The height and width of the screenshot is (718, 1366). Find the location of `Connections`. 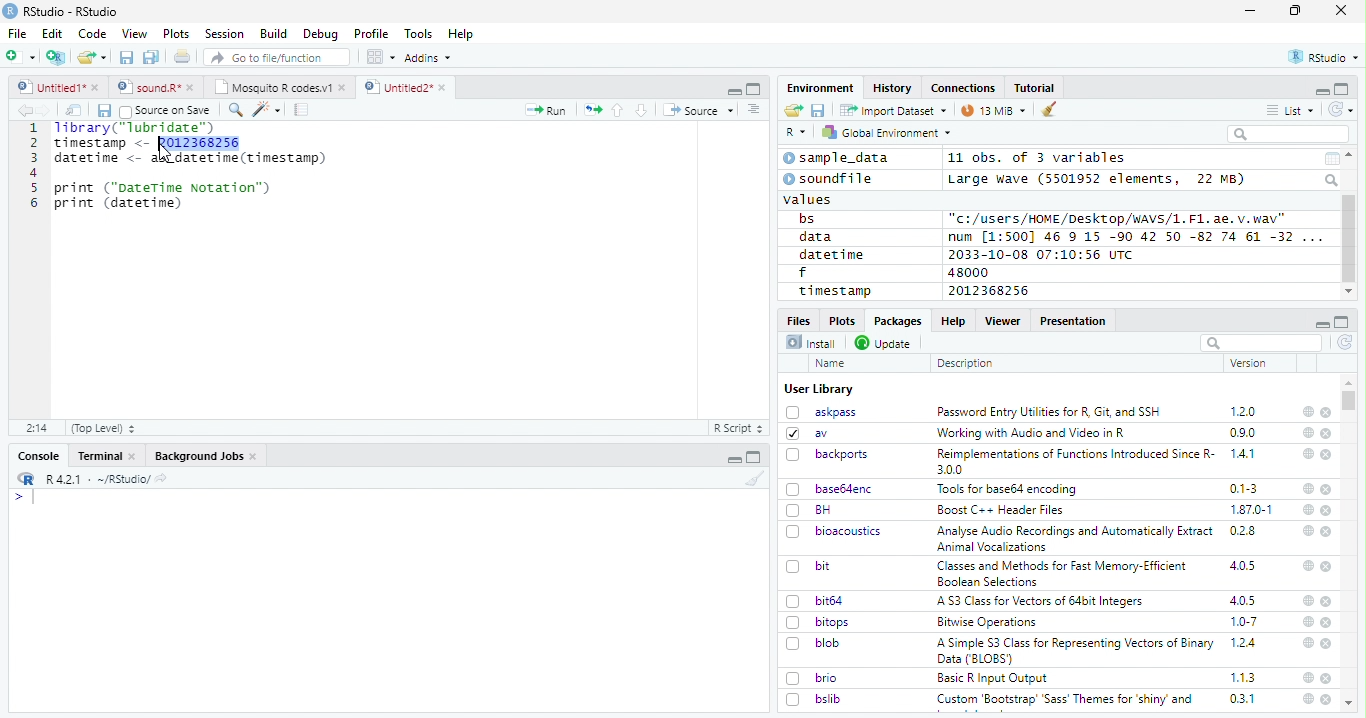

Connections is located at coordinates (962, 88).